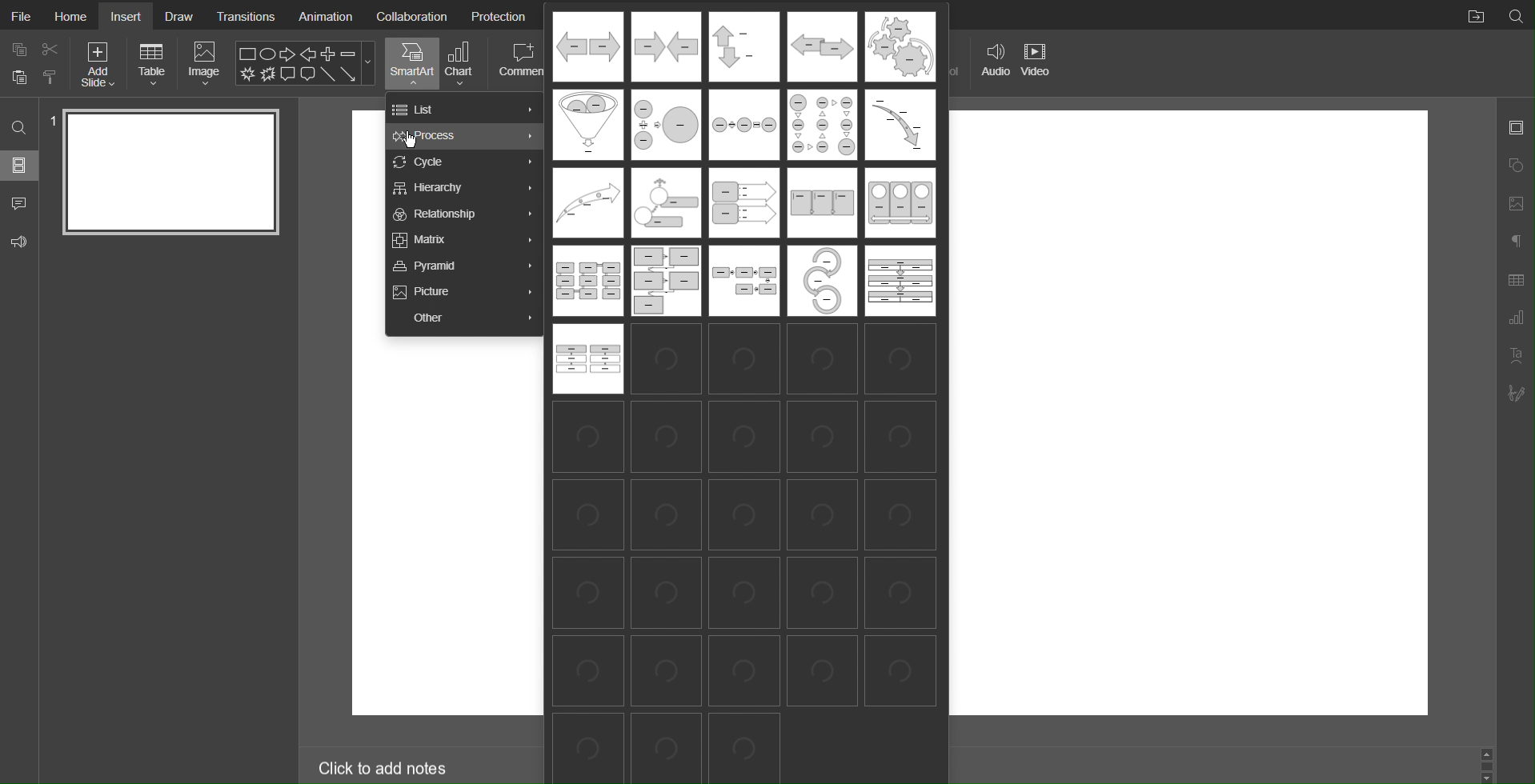 Image resolution: width=1535 pixels, height=784 pixels. What do you see at coordinates (128, 16) in the screenshot?
I see `Insert` at bounding box center [128, 16].